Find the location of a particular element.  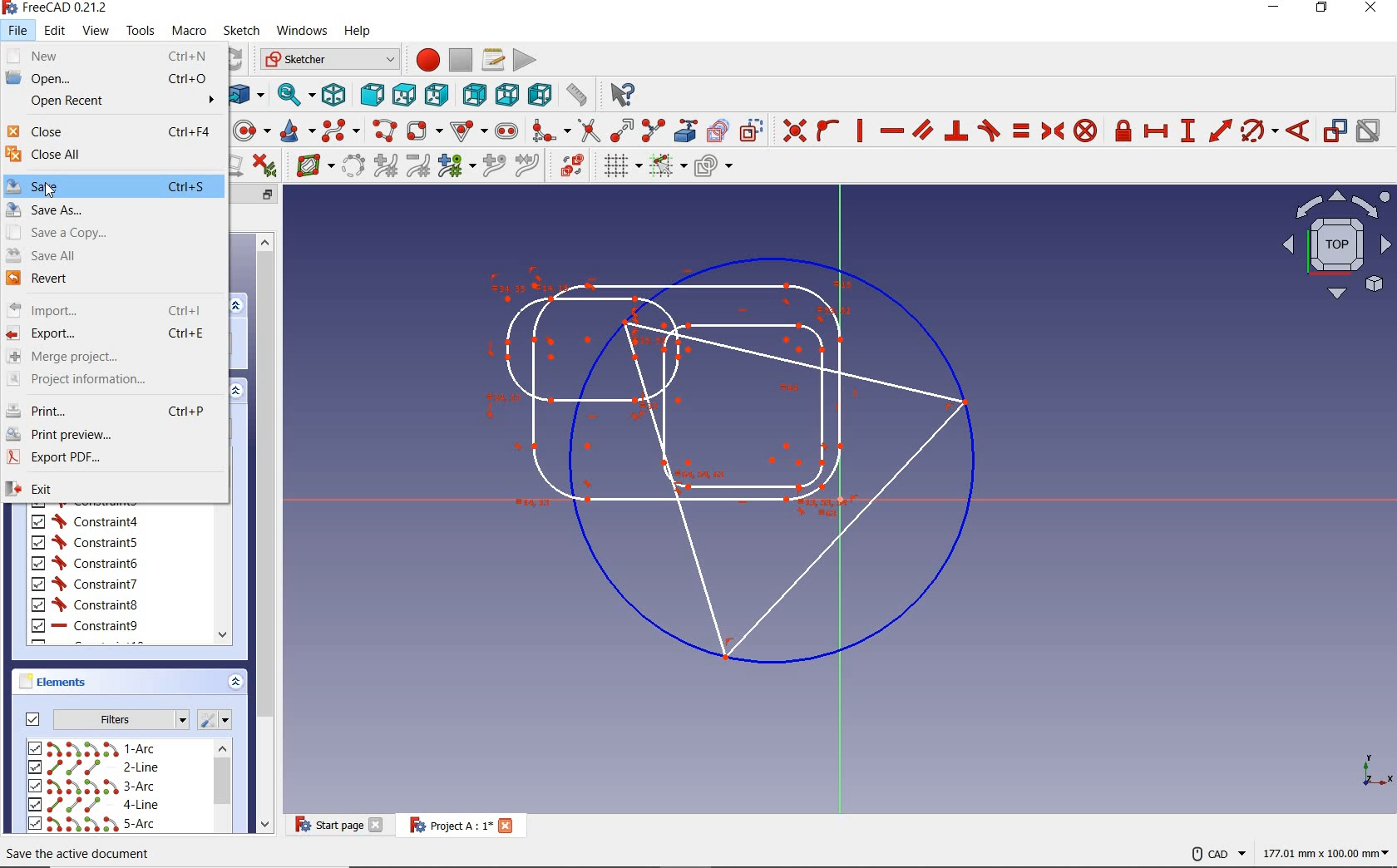

create polyine is located at coordinates (383, 131).